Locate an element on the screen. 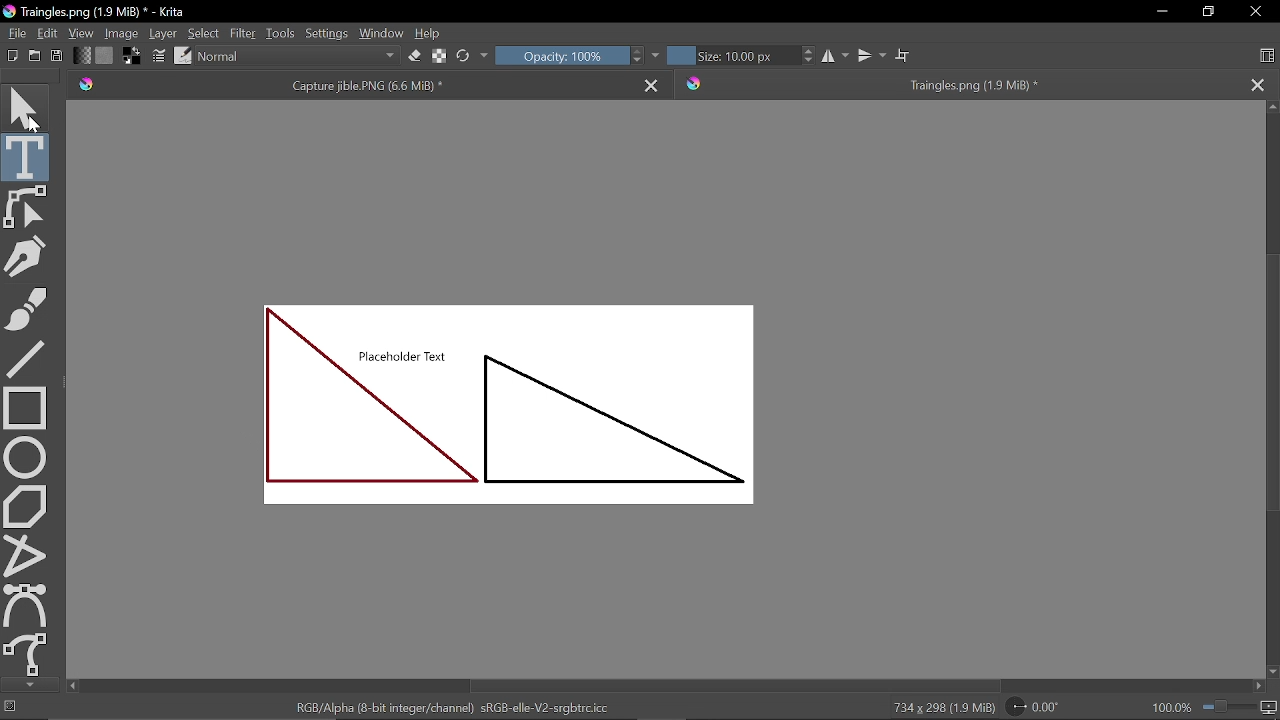 Image resolution: width=1280 pixels, height=720 pixels. Close tab is located at coordinates (653, 85).